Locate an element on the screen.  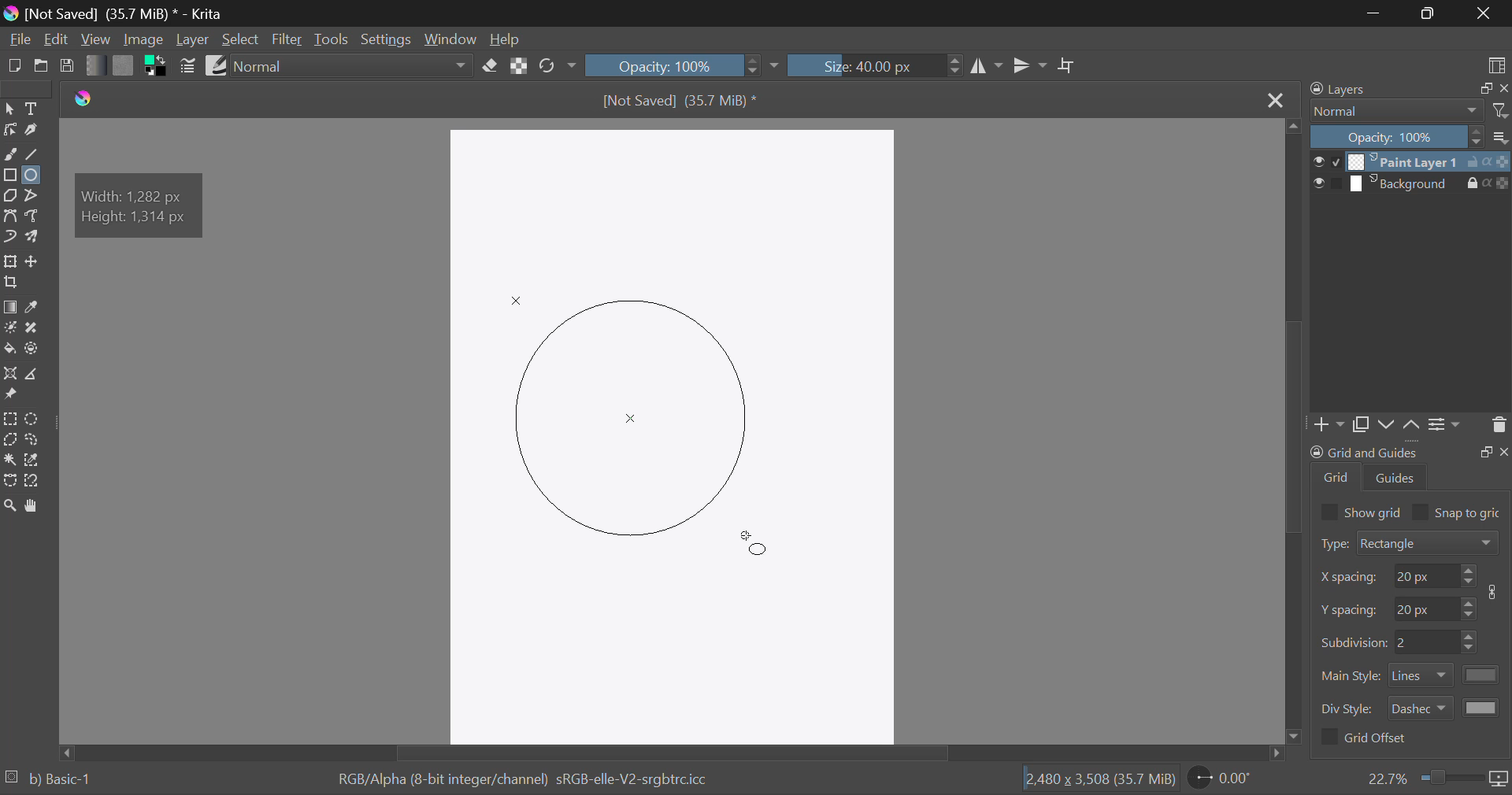
Eyedropper is located at coordinates (35, 306).